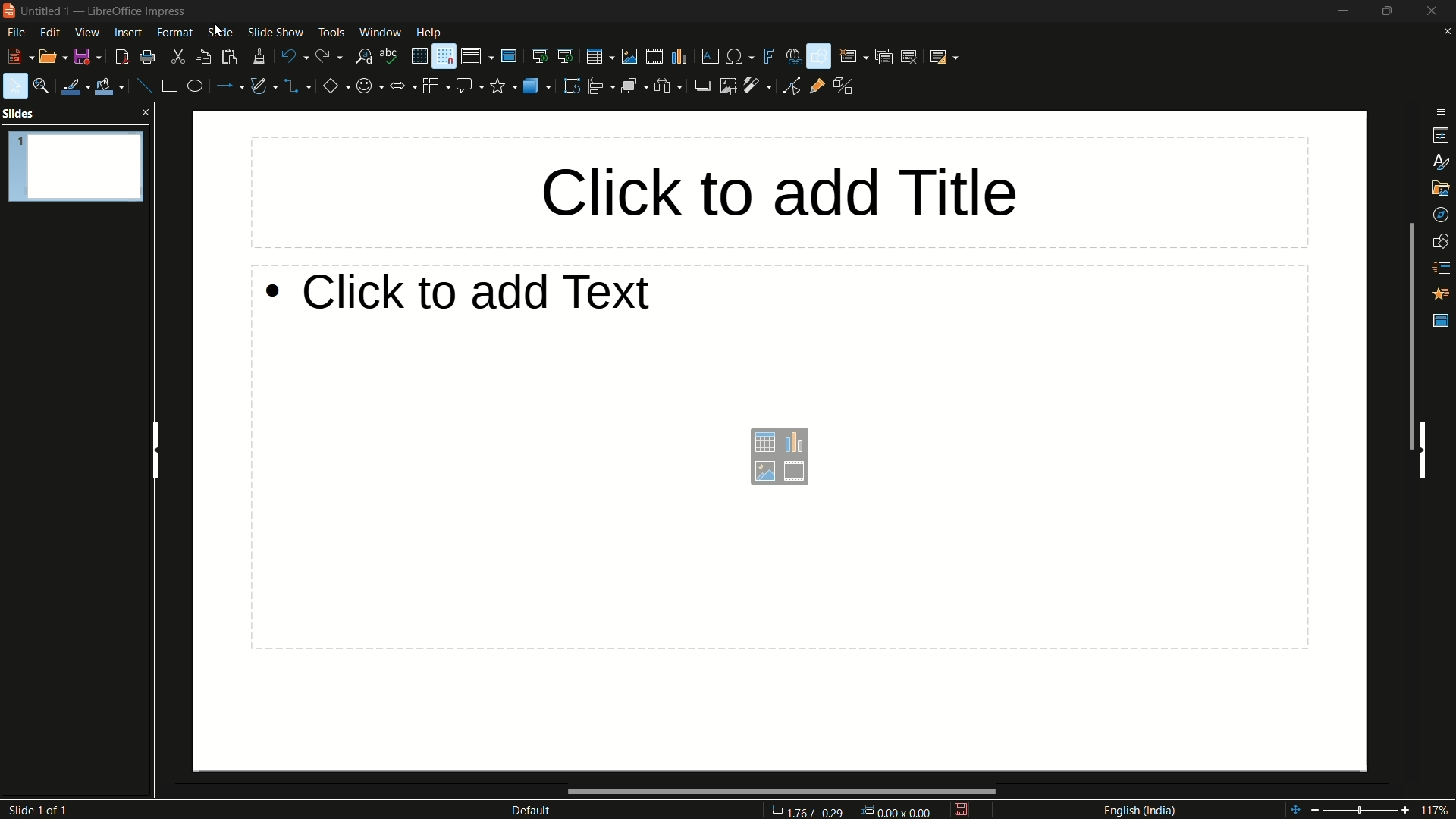  I want to click on master slides, so click(1441, 322).